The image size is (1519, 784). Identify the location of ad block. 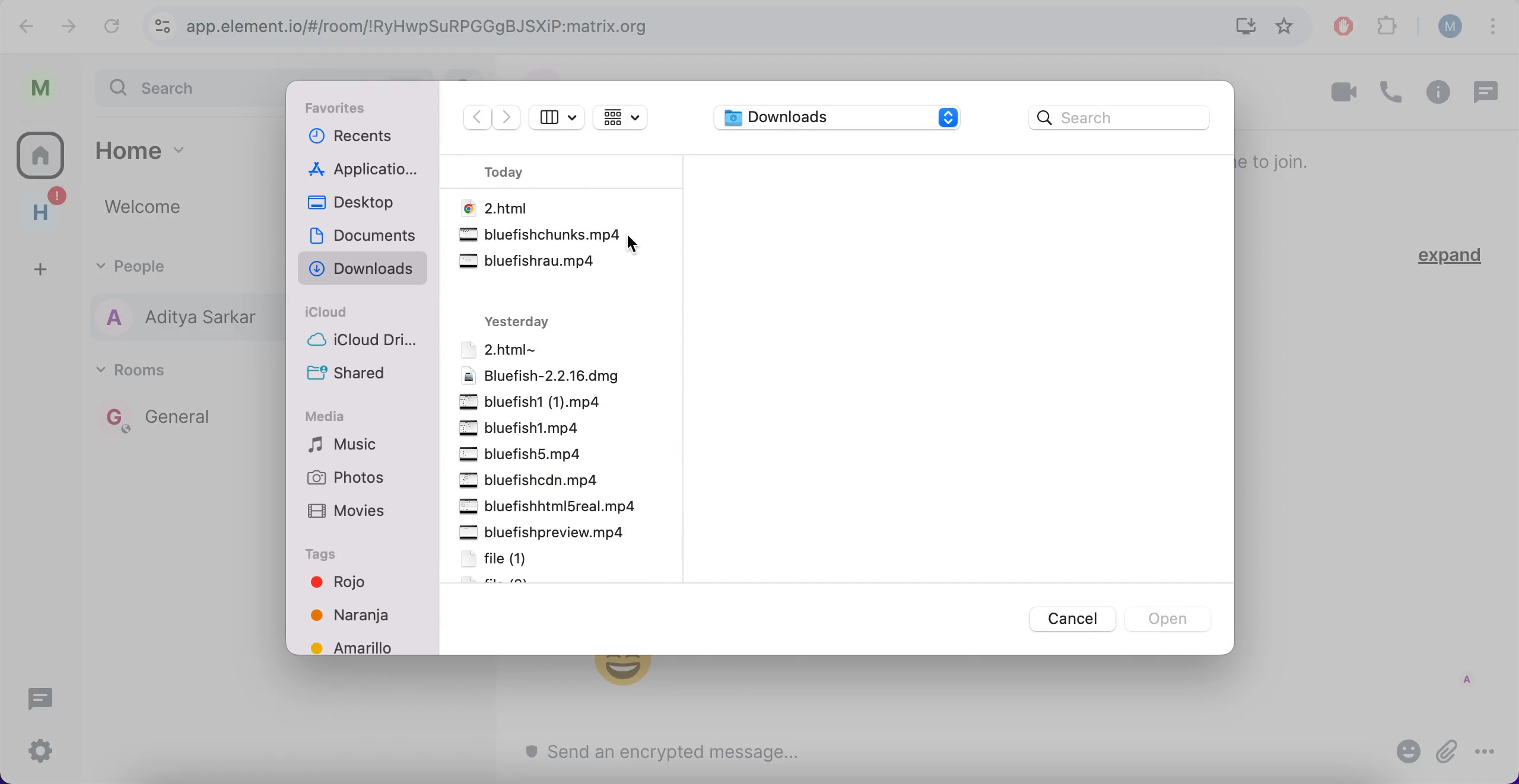
(1343, 24).